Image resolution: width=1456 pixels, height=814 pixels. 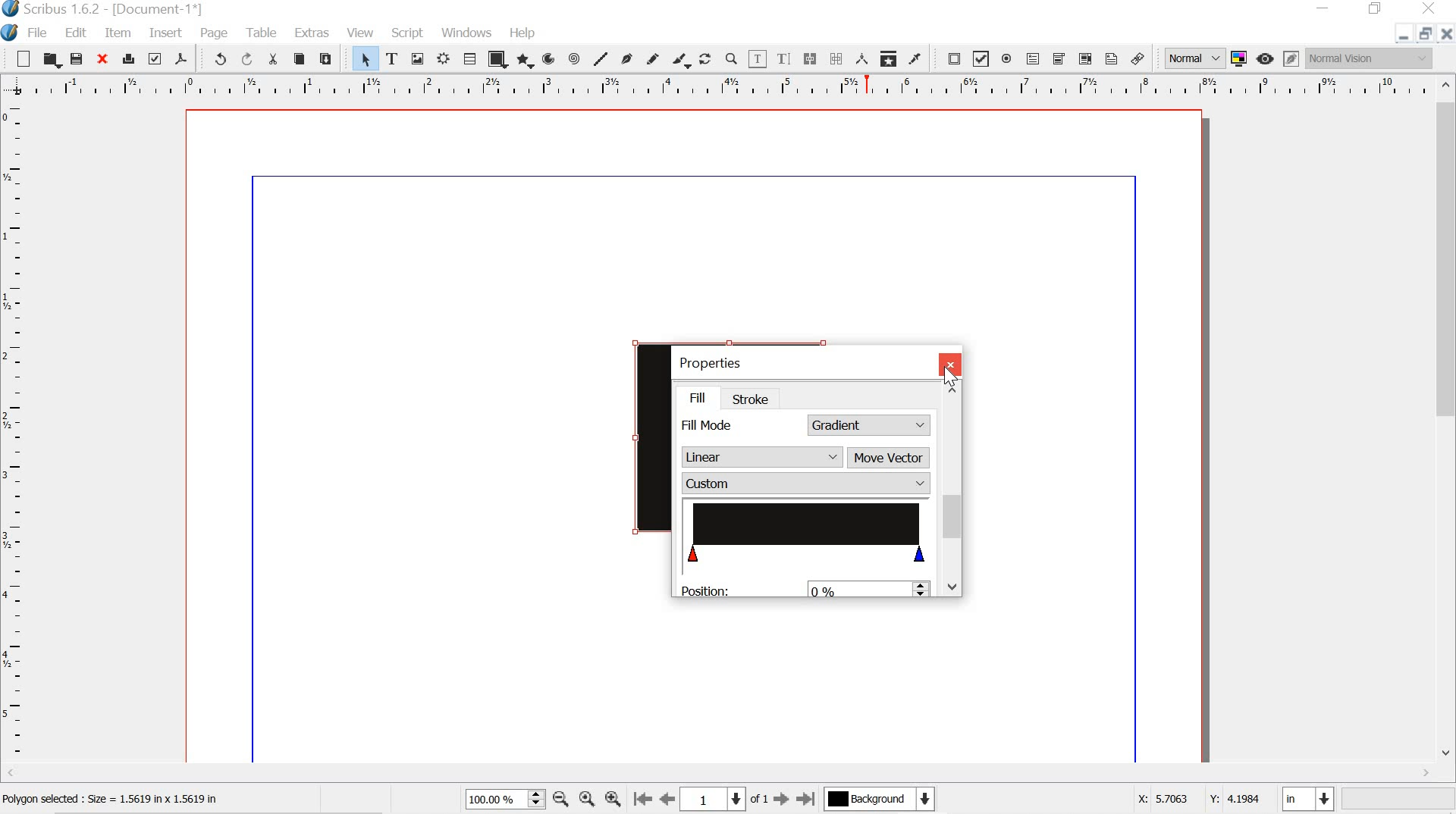 I want to click on polygon selected : size = 1.5619 in x 5619 in, so click(x=132, y=799).